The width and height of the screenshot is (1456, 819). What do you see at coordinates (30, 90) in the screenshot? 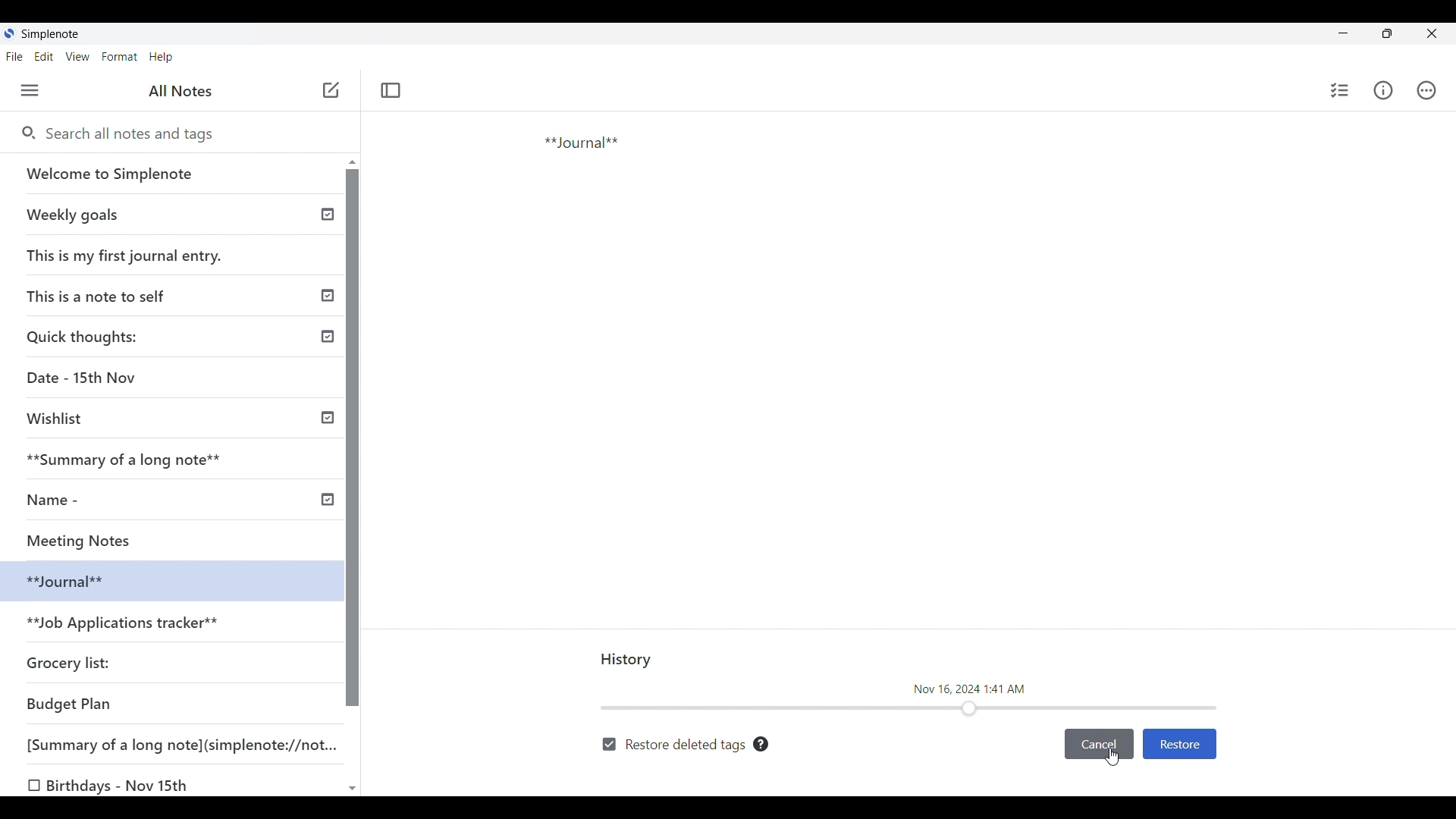
I see `Menu` at bounding box center [30, 90].